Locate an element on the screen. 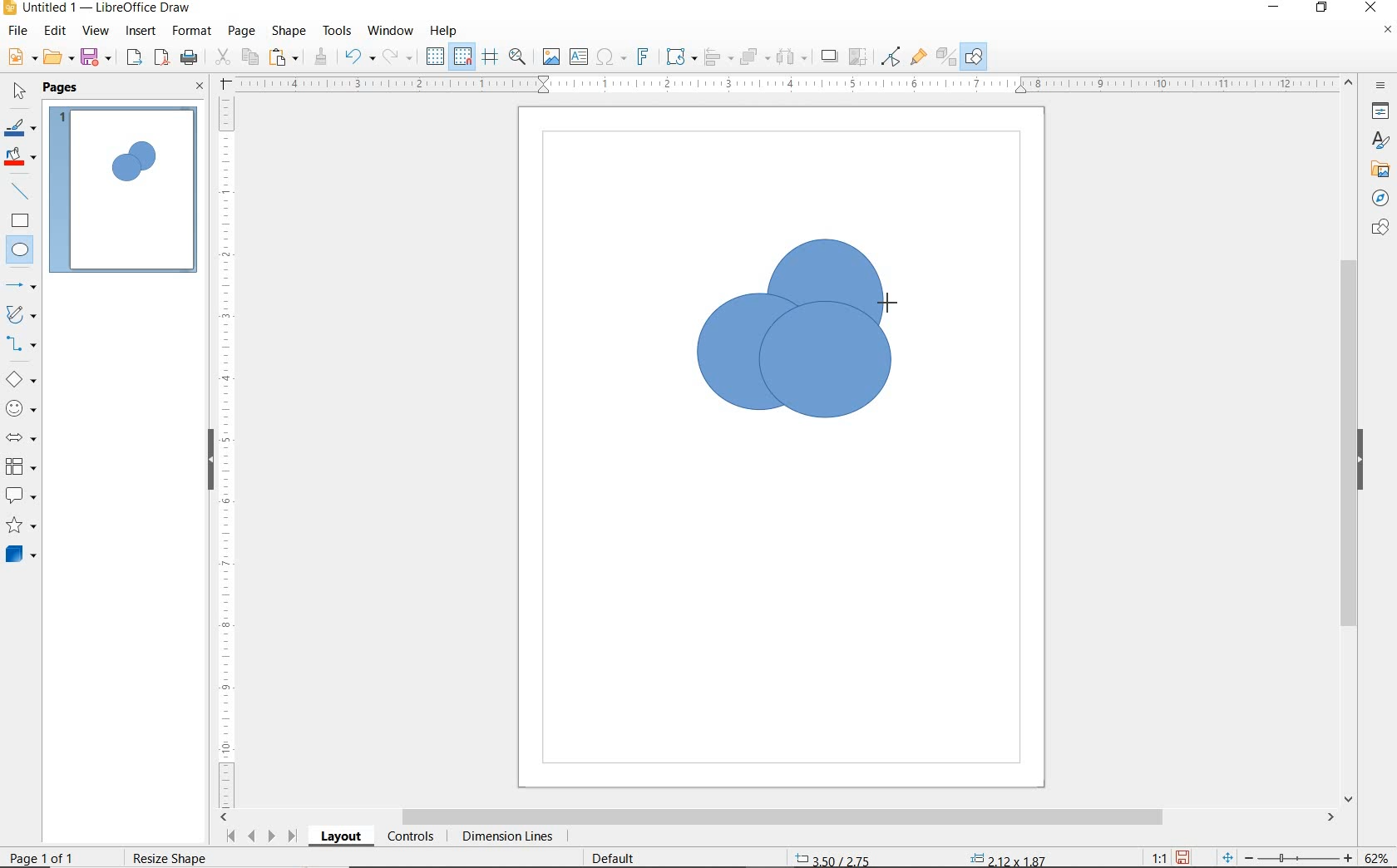  HELPLINES WHILE MOVING is located at coordinates (490, 57).